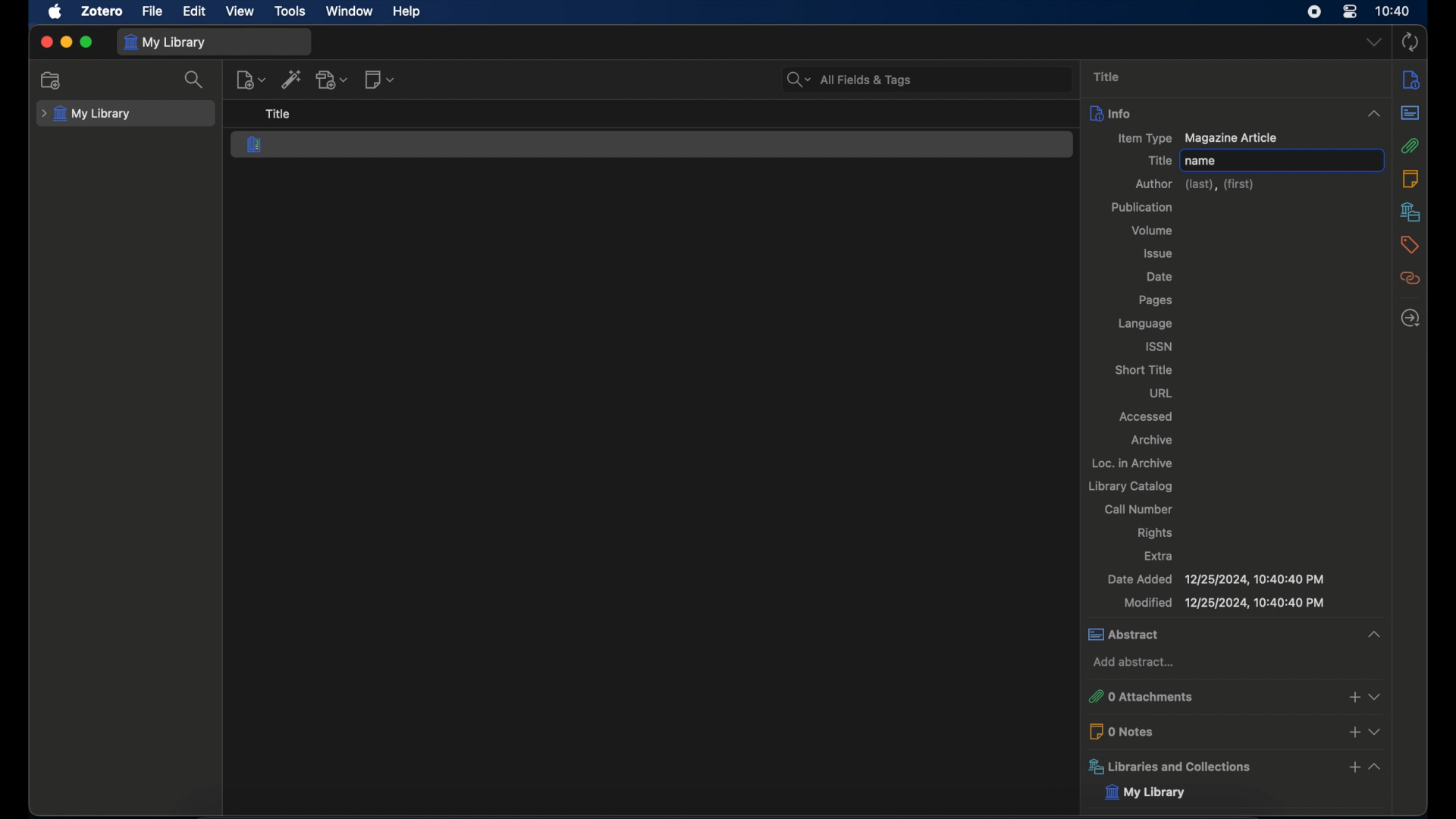 This screenshot has height=819, width=1456. Describe the element at coordinates (1411, 178) in the screenshot. I see `notes` at that location.